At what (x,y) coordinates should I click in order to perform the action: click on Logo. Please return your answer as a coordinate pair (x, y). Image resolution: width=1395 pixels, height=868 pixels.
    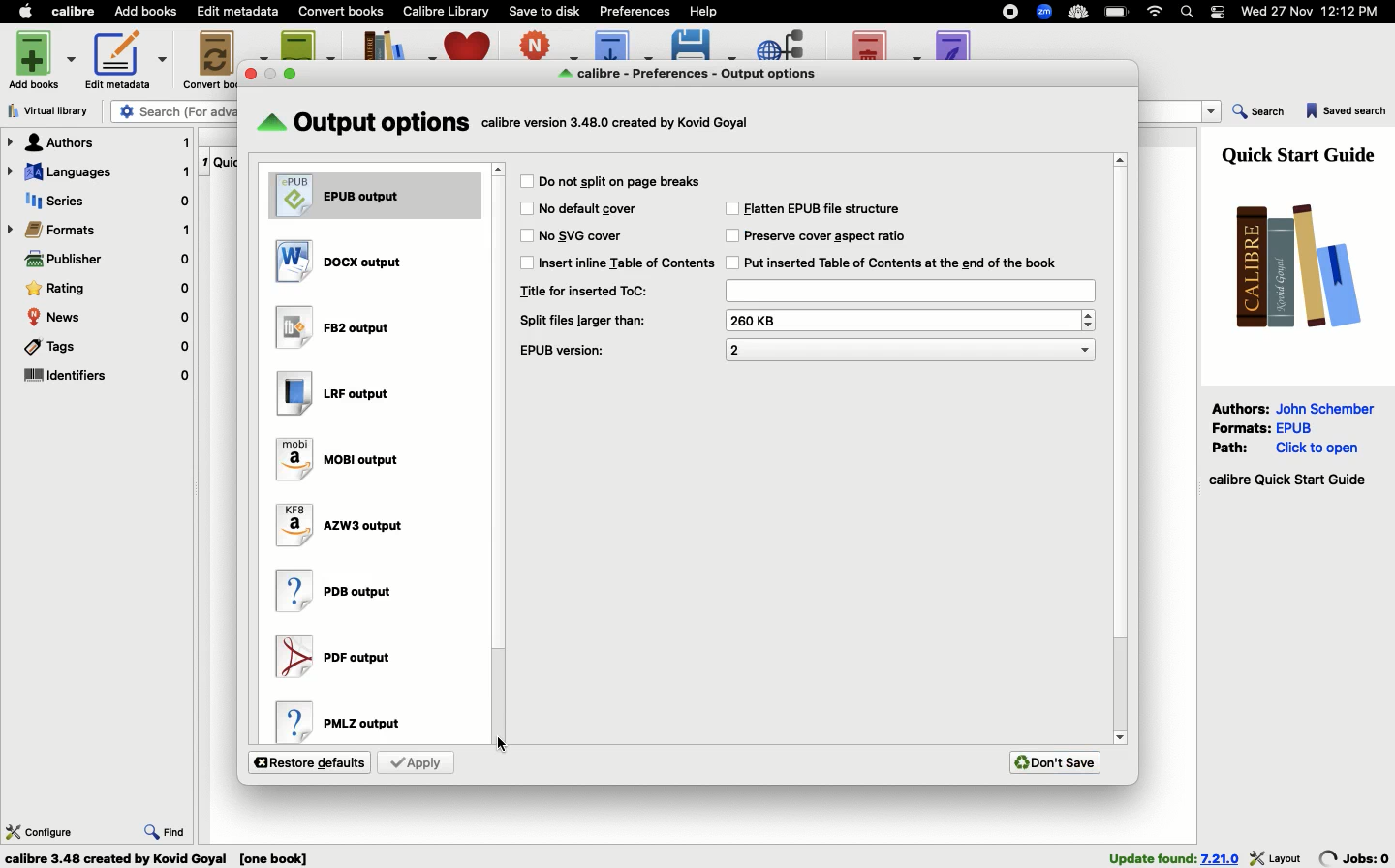
    Looking at the image, I should click on (1291, 264).